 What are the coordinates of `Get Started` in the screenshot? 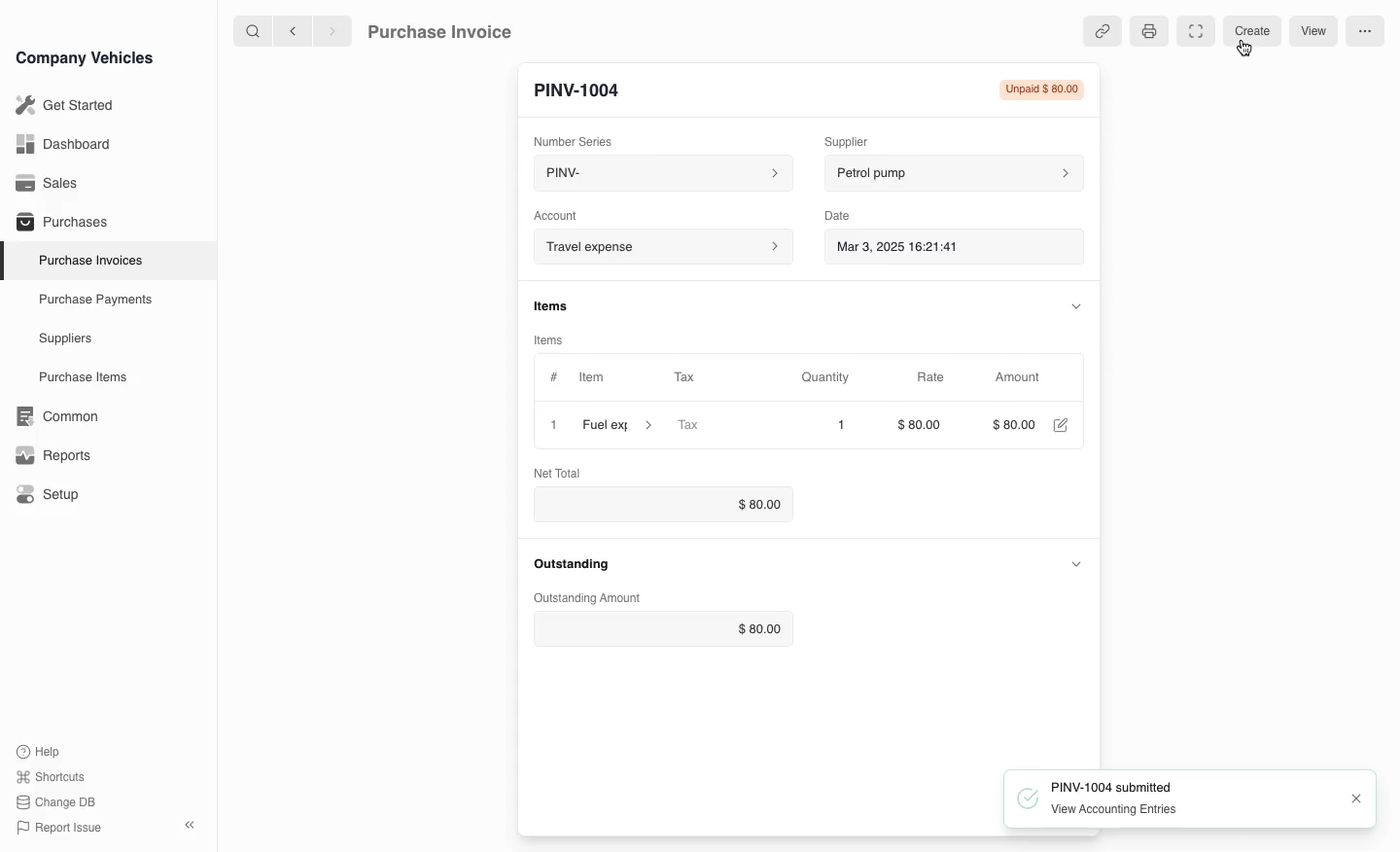 It's located at (61, 105).